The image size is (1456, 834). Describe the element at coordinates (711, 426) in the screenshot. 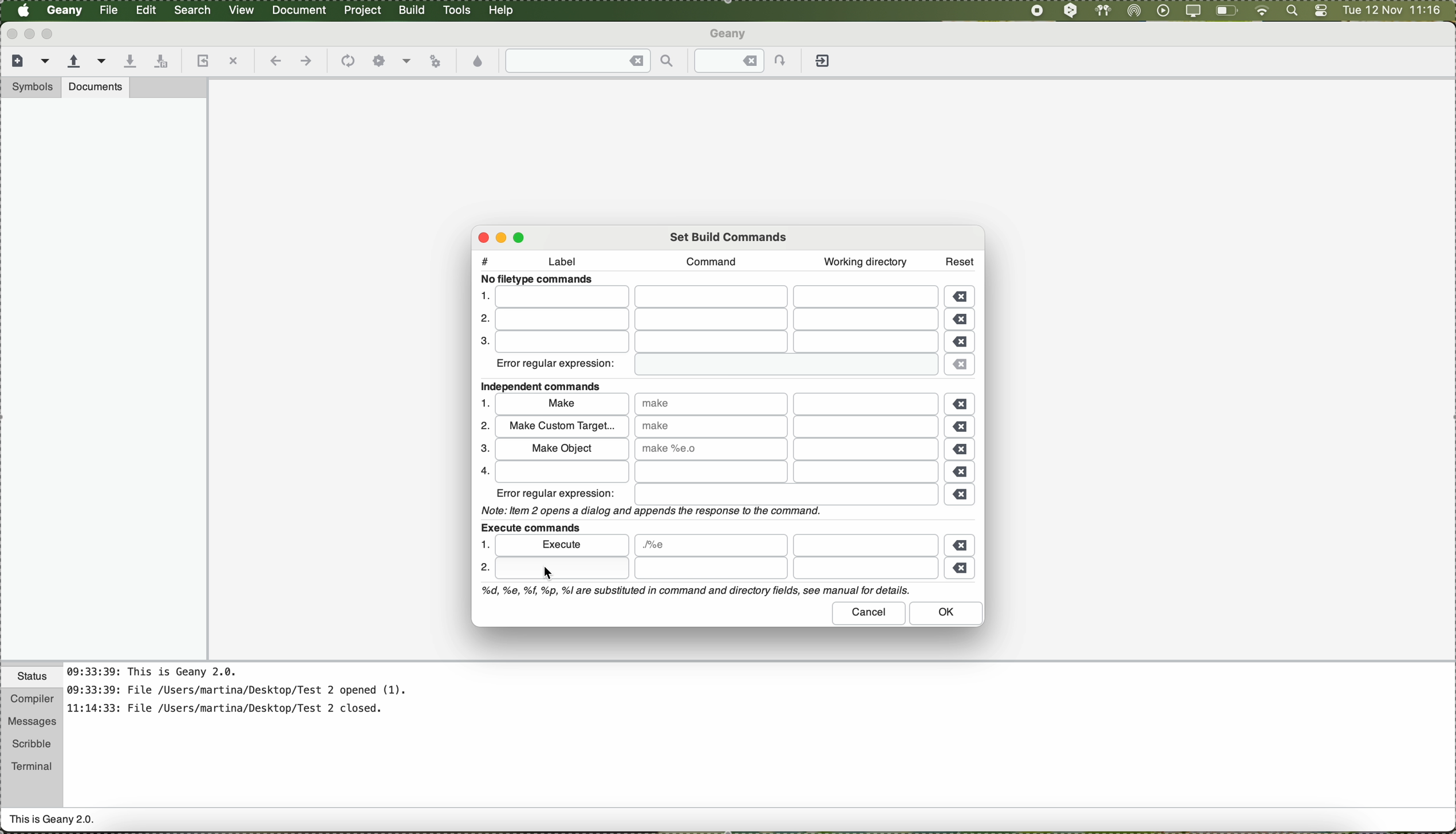

I see `make` at that location.